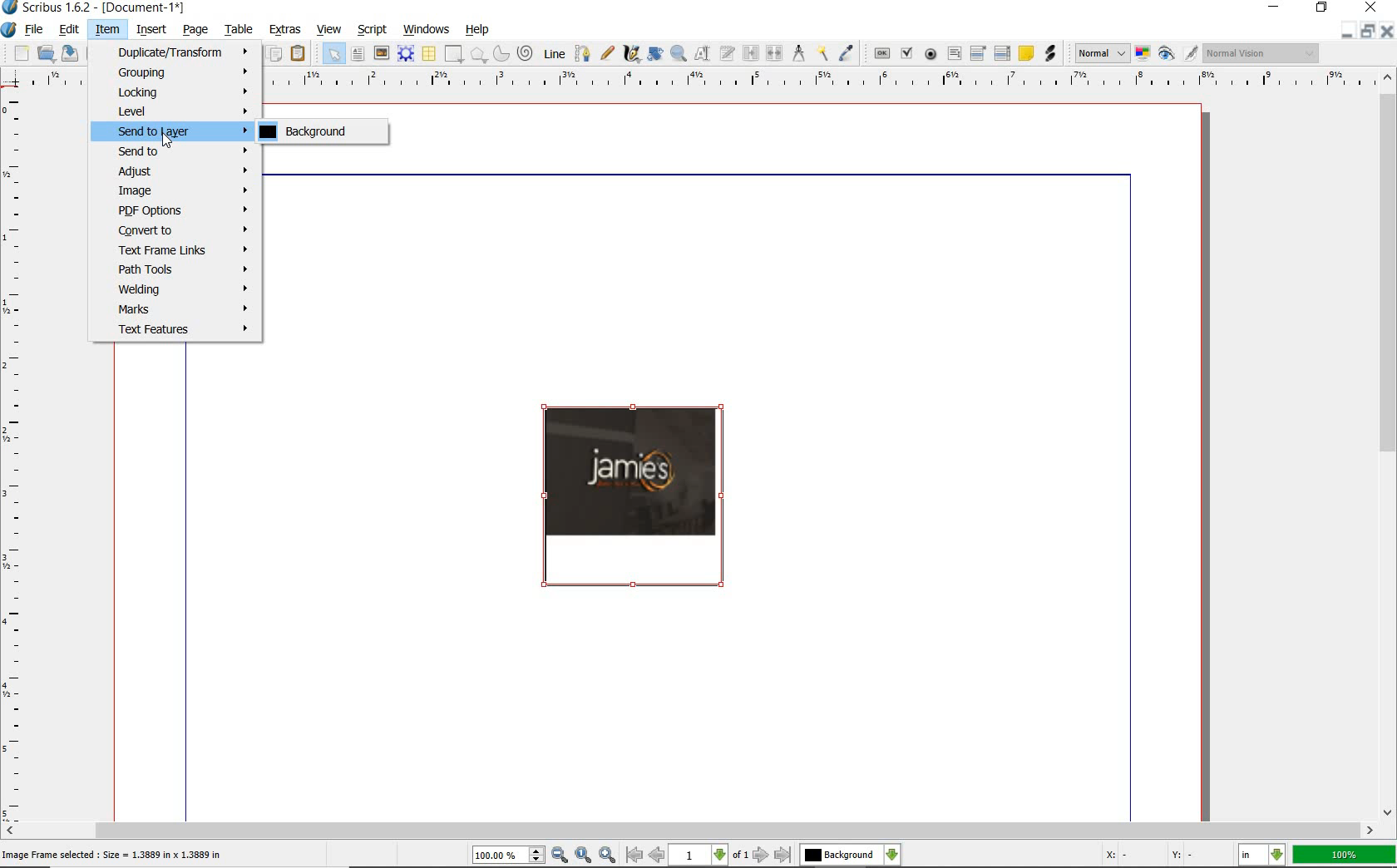  What do you see at coordinates (775, 54) in the screenshot?
I see `unlink text frames` at bounding box center [775, 54].